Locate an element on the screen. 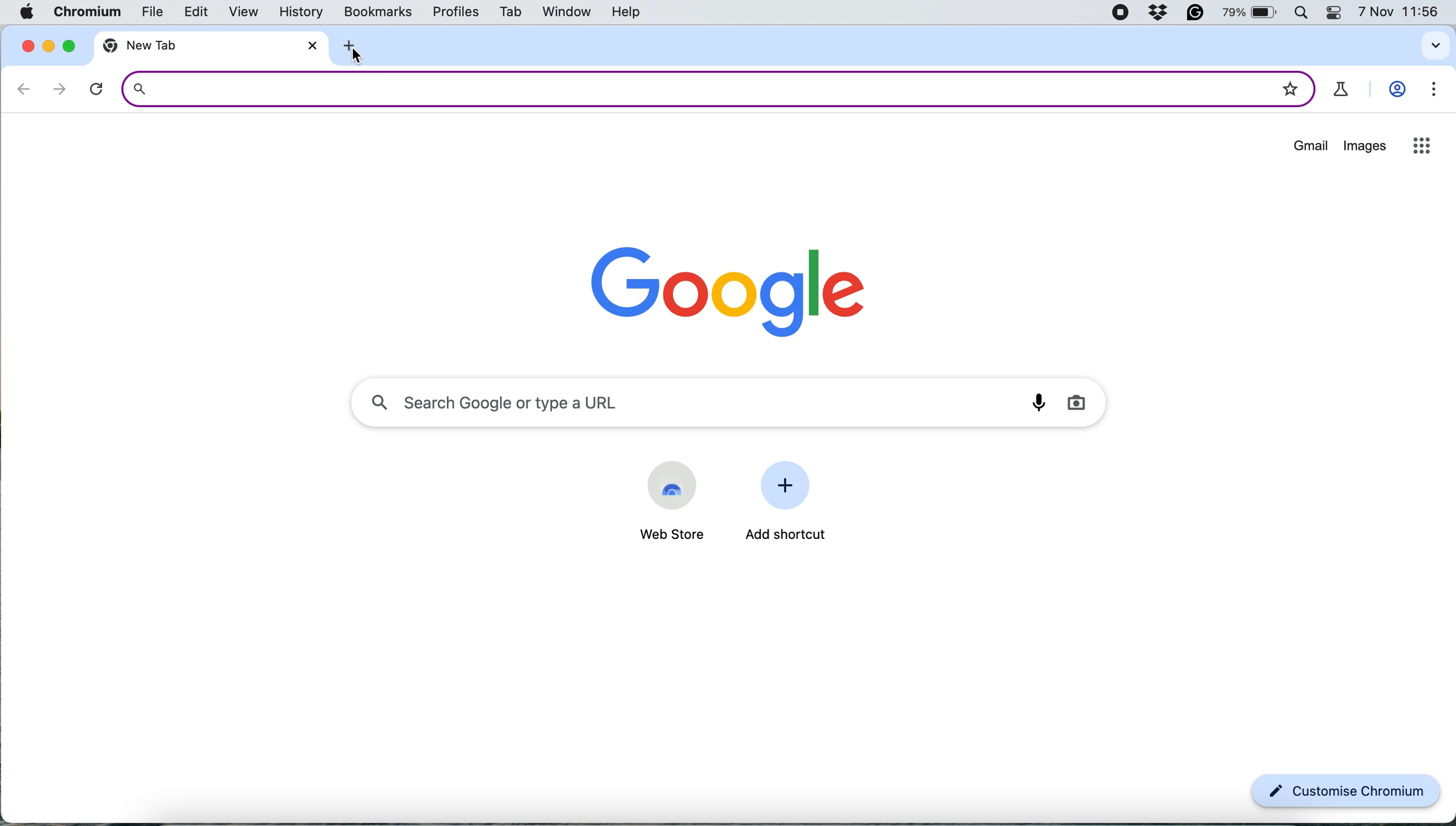  images is located at coordinates (1365, 147).